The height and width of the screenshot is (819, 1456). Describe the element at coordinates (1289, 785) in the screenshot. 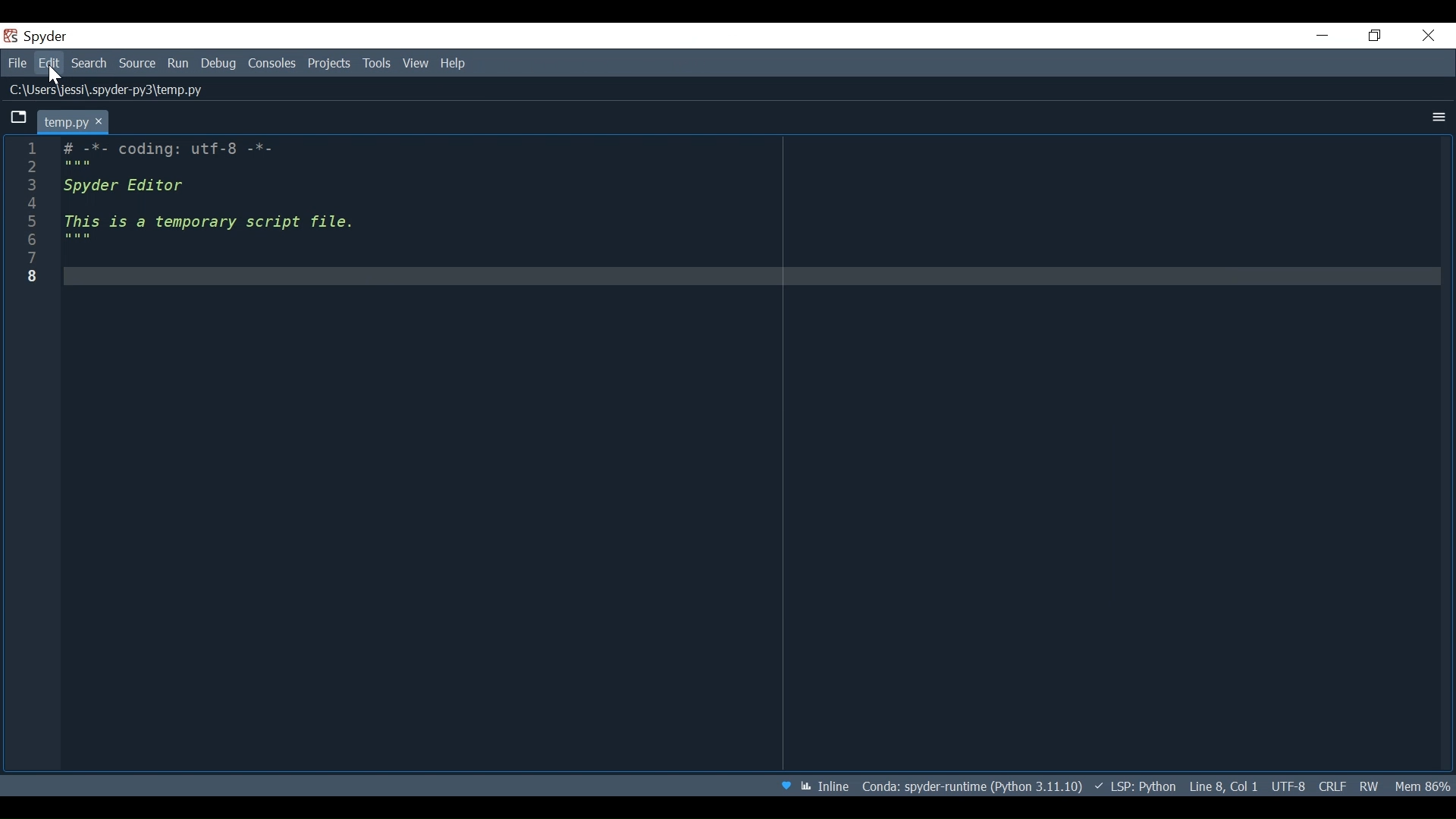

I see `File Encoding` at that location.